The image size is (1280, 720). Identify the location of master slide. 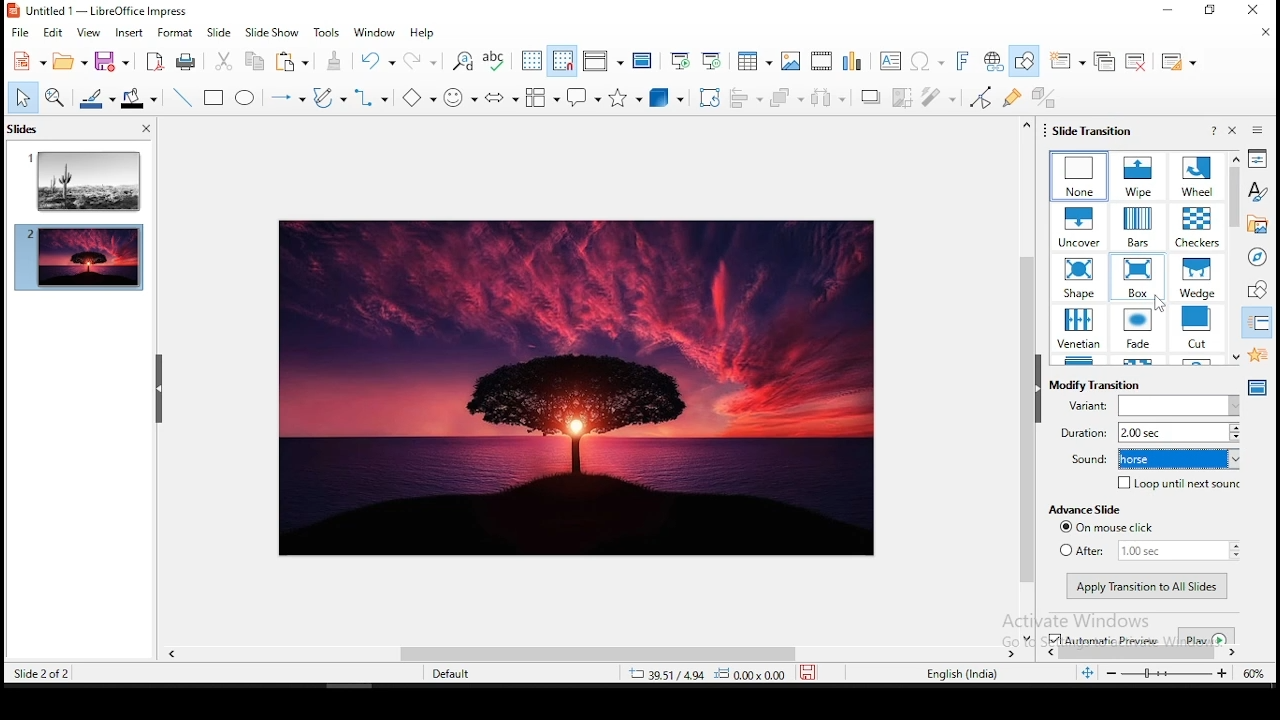
(643, 58).